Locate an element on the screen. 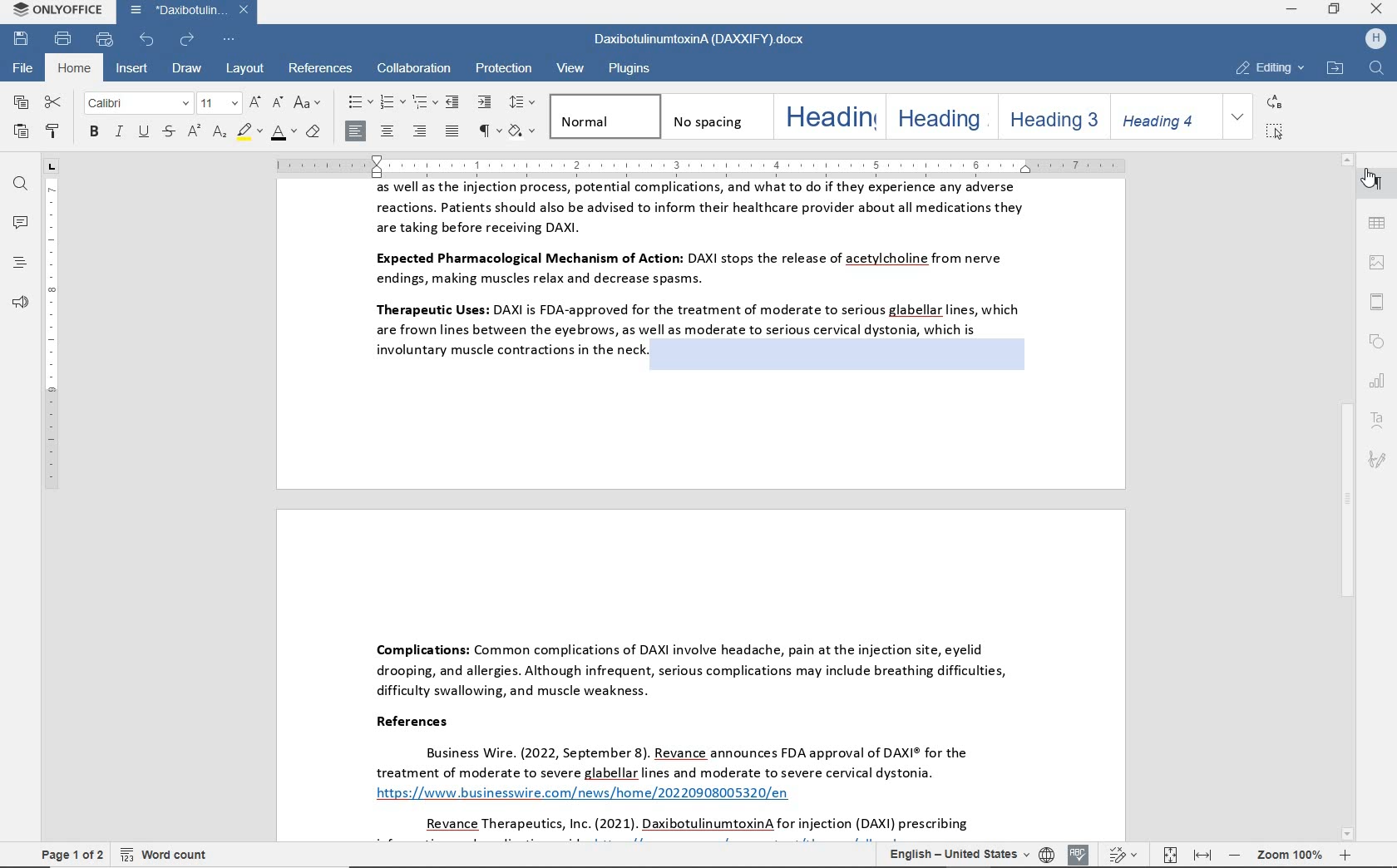 The height and width of the screenshot is (868, 1397). system name is located at coordinates (56, 11).